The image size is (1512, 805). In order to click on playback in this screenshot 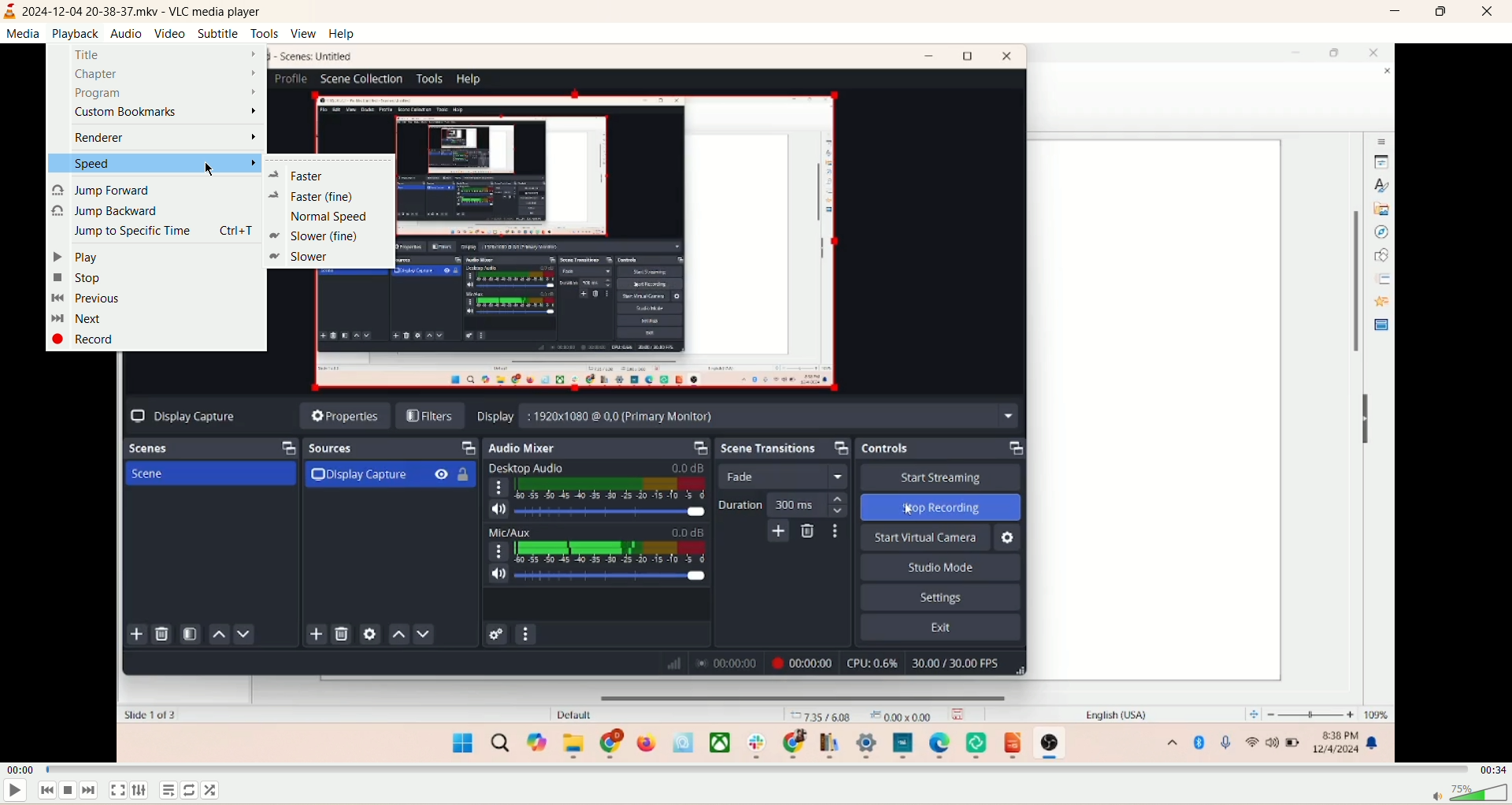, I will do `click(73, 35)`.